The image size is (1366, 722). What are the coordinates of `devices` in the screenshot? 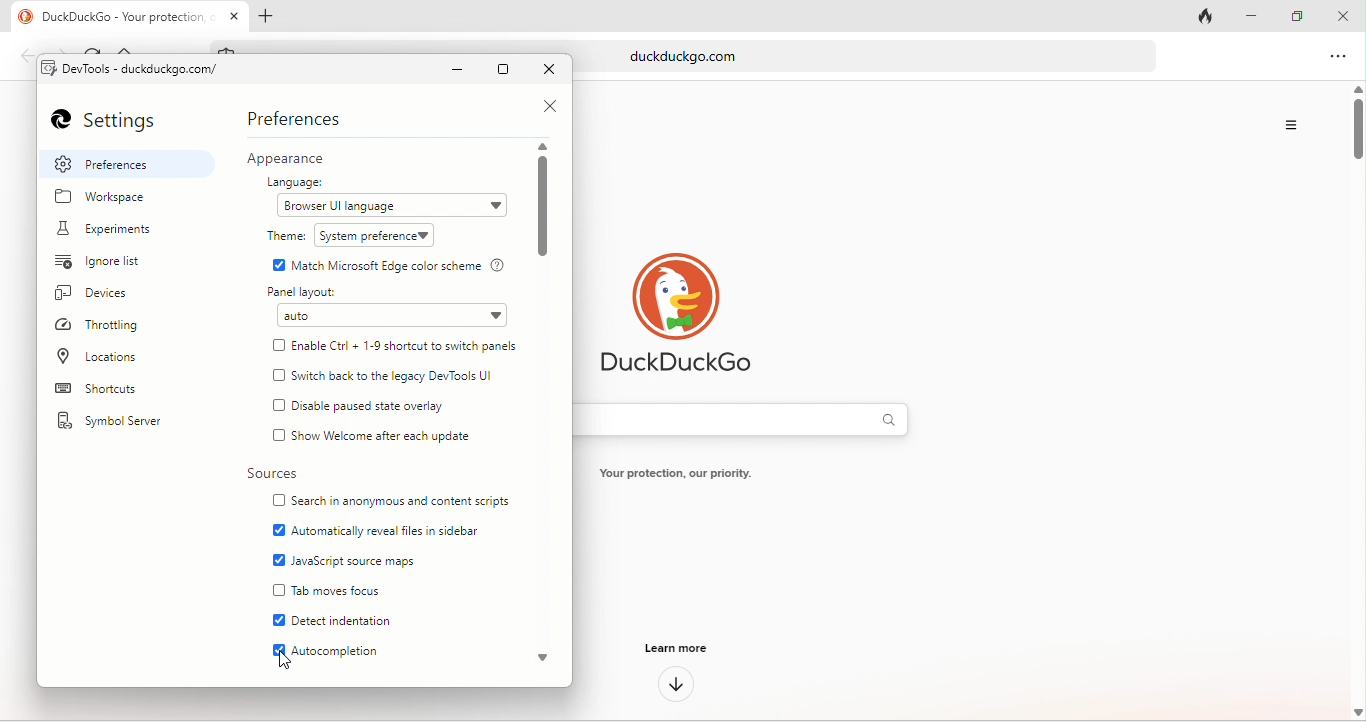 It's located at (107, 296).